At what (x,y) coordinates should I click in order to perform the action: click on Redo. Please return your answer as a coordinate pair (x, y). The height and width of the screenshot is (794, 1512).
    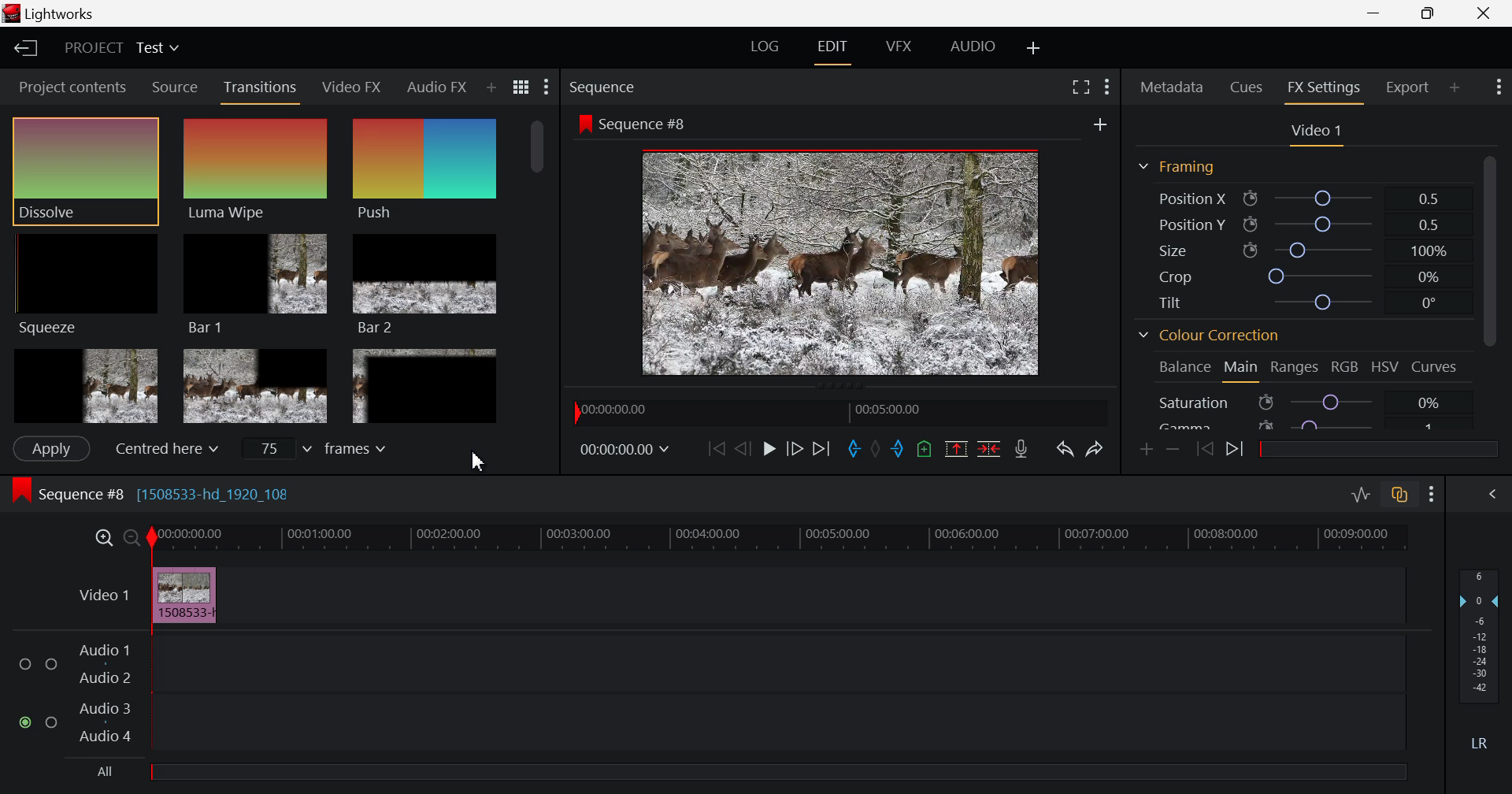
    Looking at the image, I should click on (1095, 448).